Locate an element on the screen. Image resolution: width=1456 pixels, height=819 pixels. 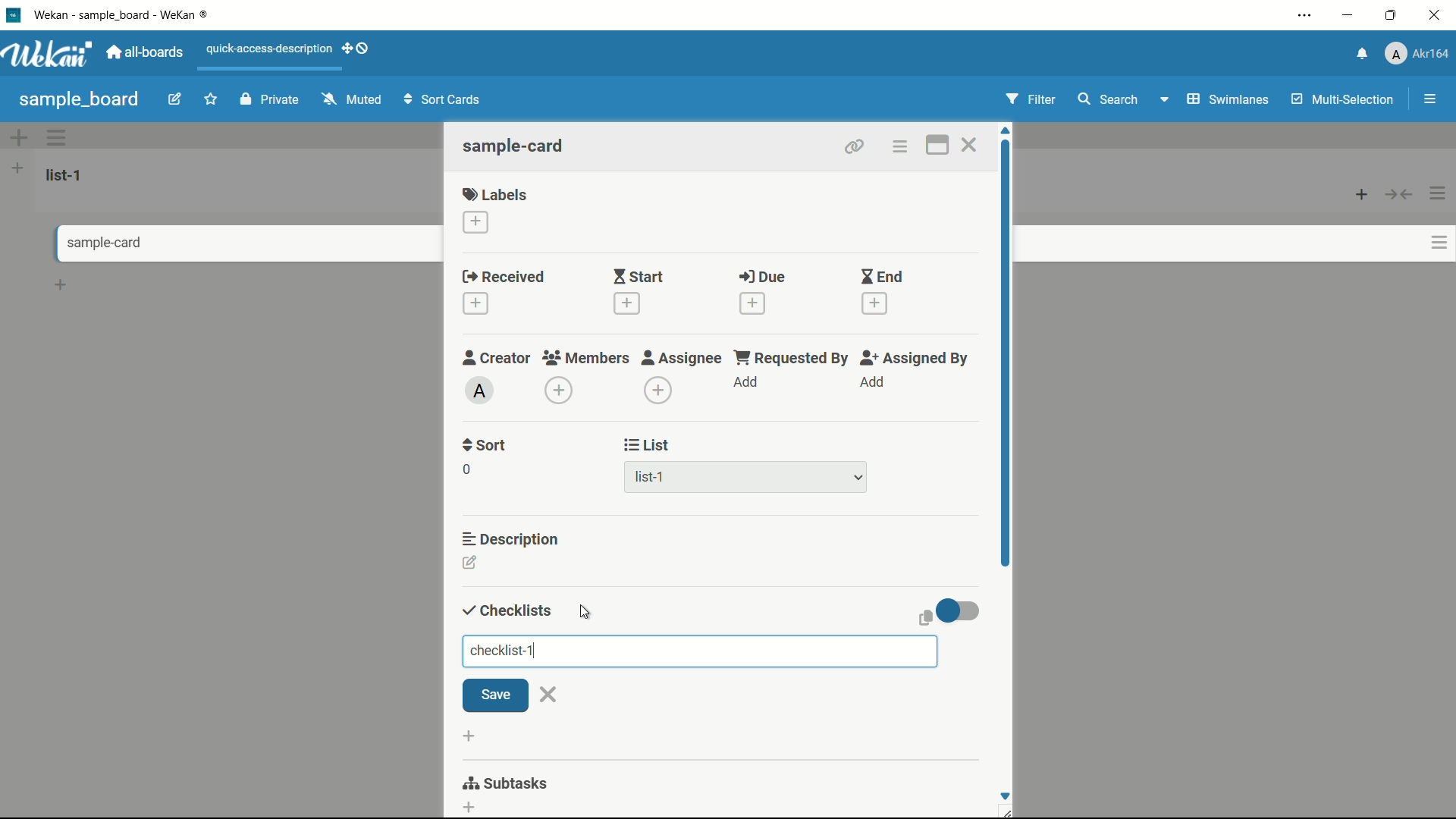
subtasks is located at coordinates (504, 783).